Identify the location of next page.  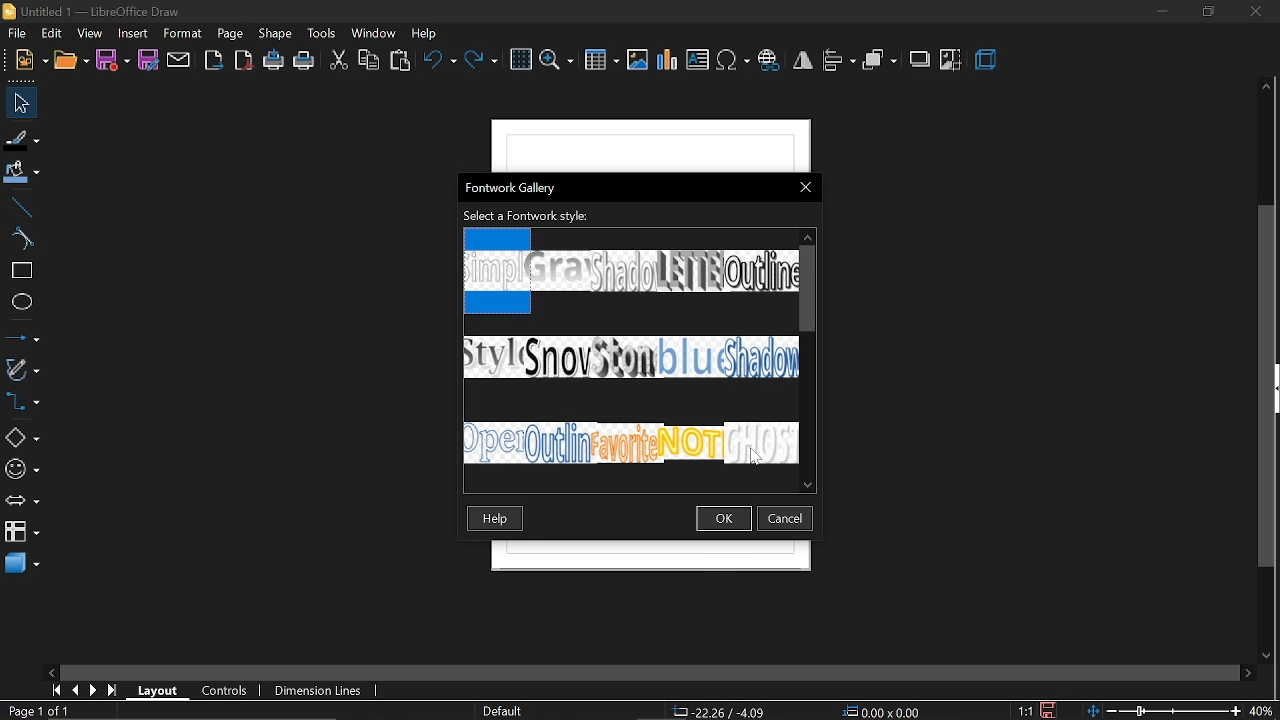
(90, 690).